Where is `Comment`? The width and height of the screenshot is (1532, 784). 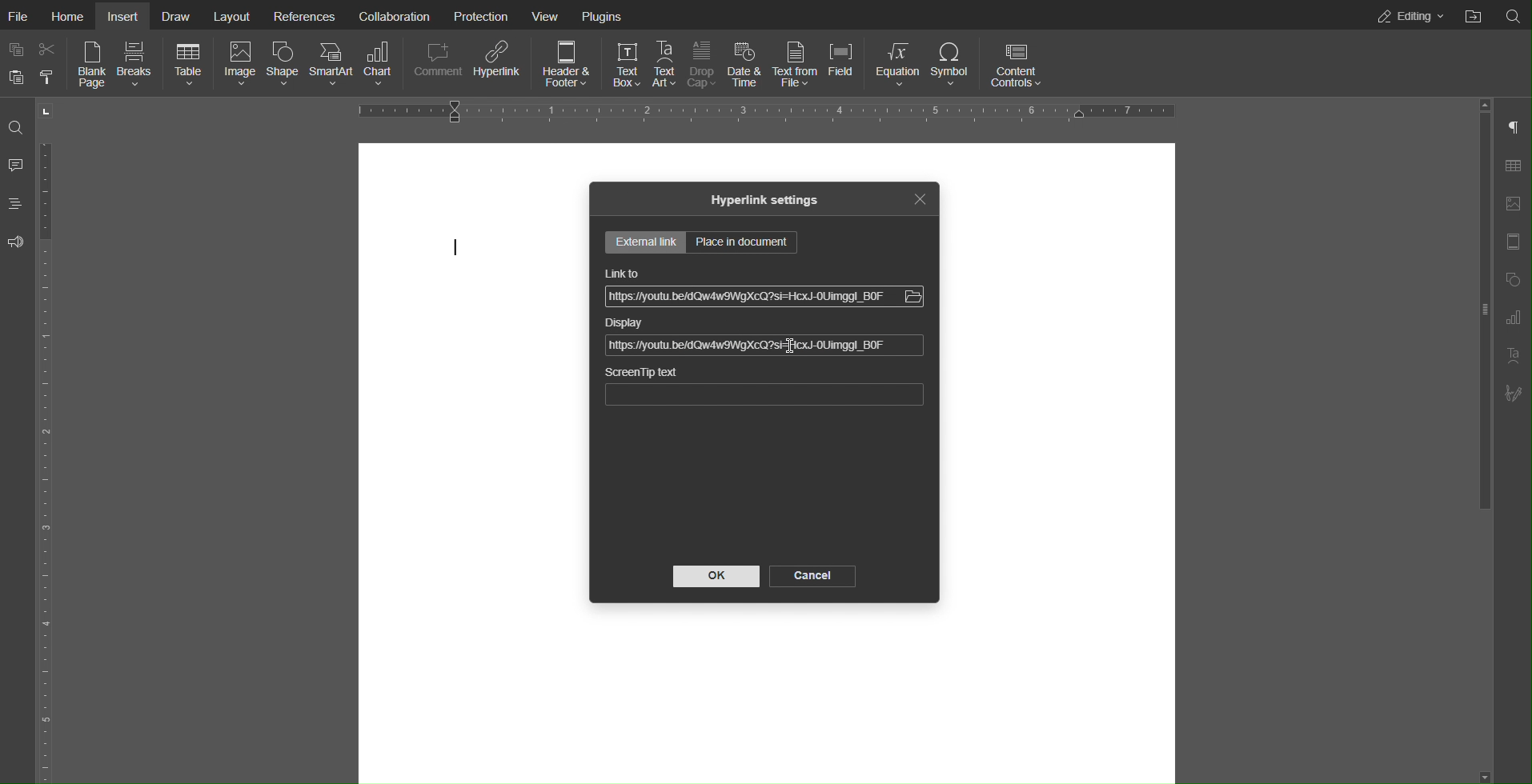
Comment is located at coordinates (435, 64).